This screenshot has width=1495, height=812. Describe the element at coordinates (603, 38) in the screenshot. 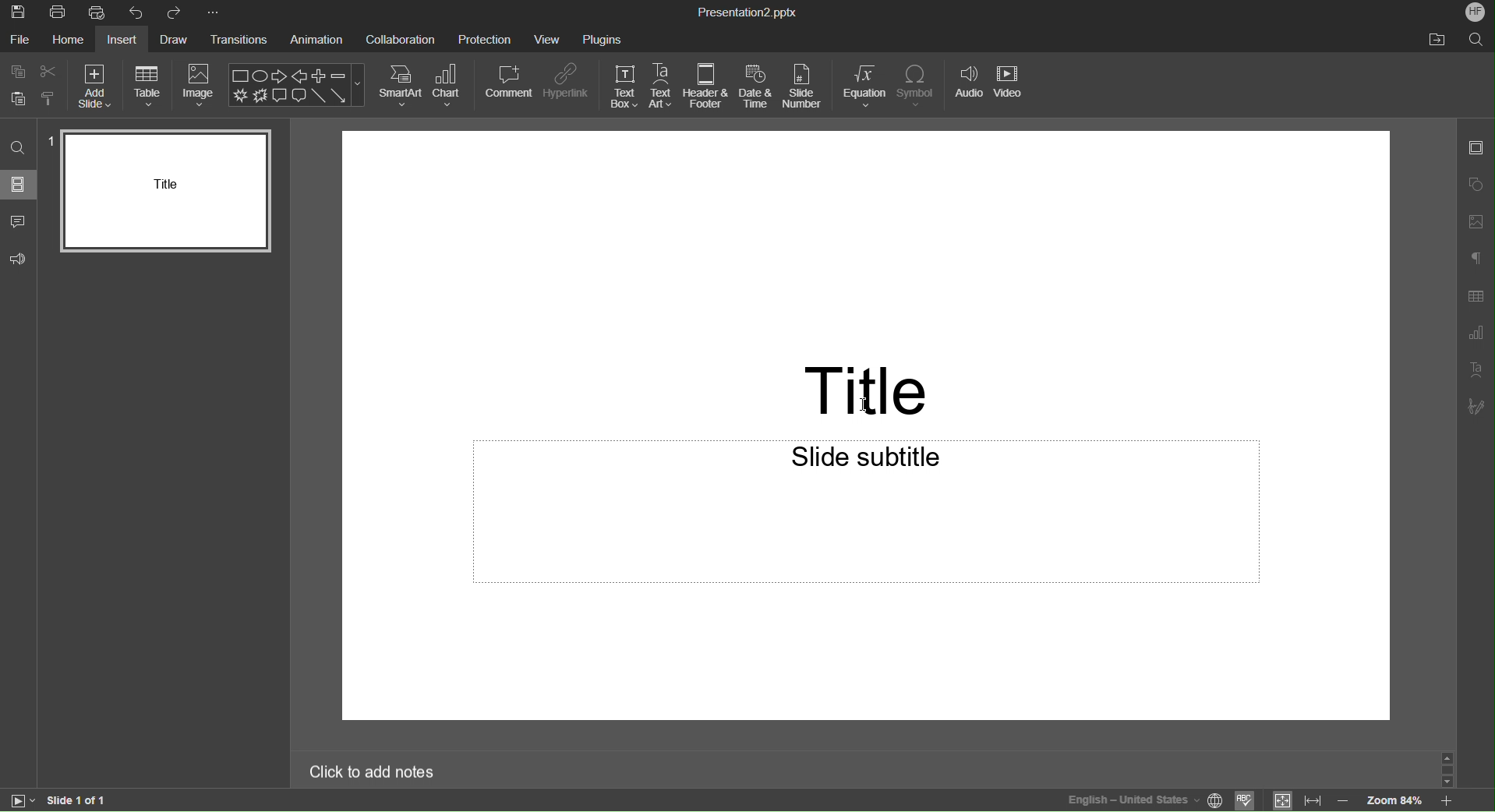

I see `Plugins` at that location.